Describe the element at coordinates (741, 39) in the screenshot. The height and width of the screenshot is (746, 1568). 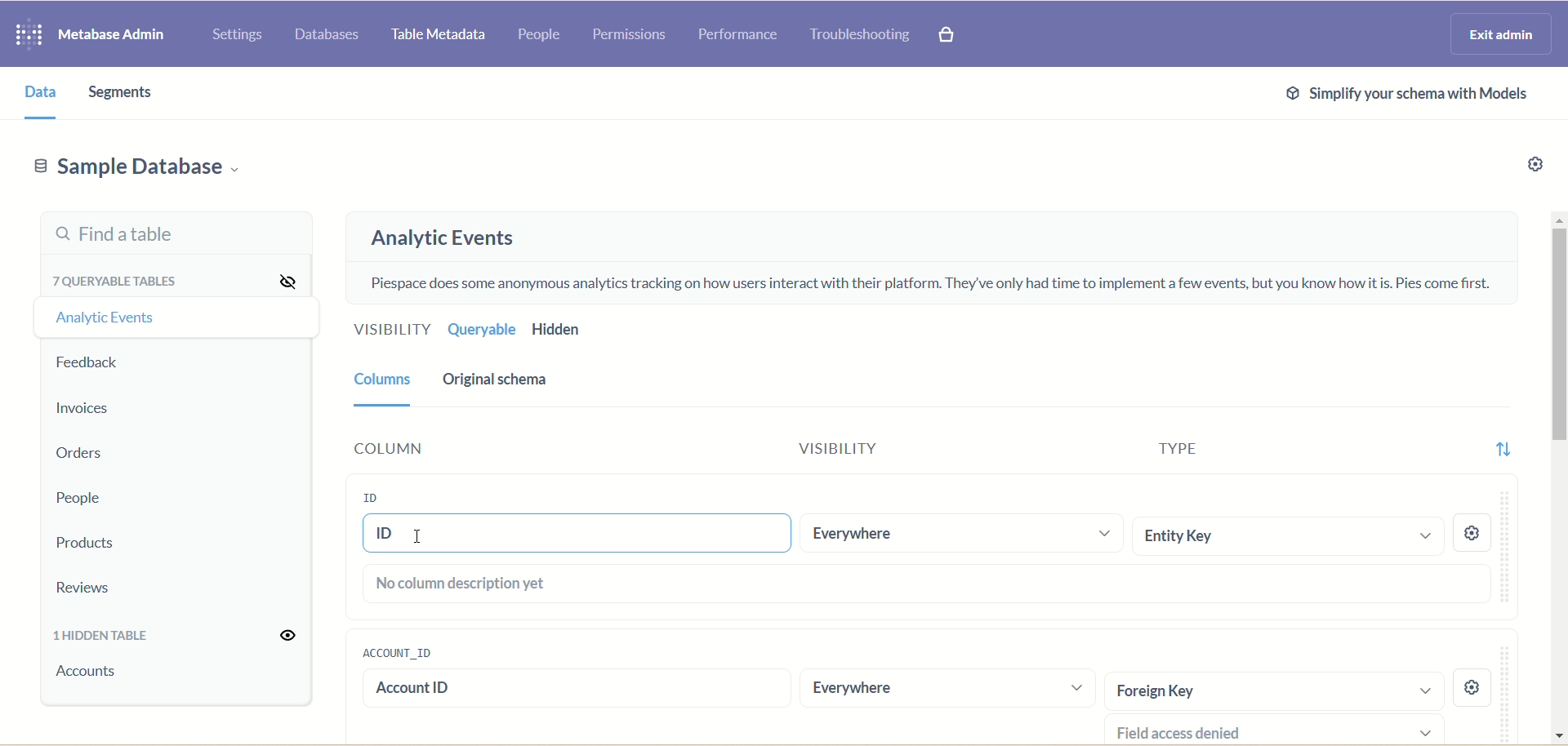
I see `Performance` at that location.